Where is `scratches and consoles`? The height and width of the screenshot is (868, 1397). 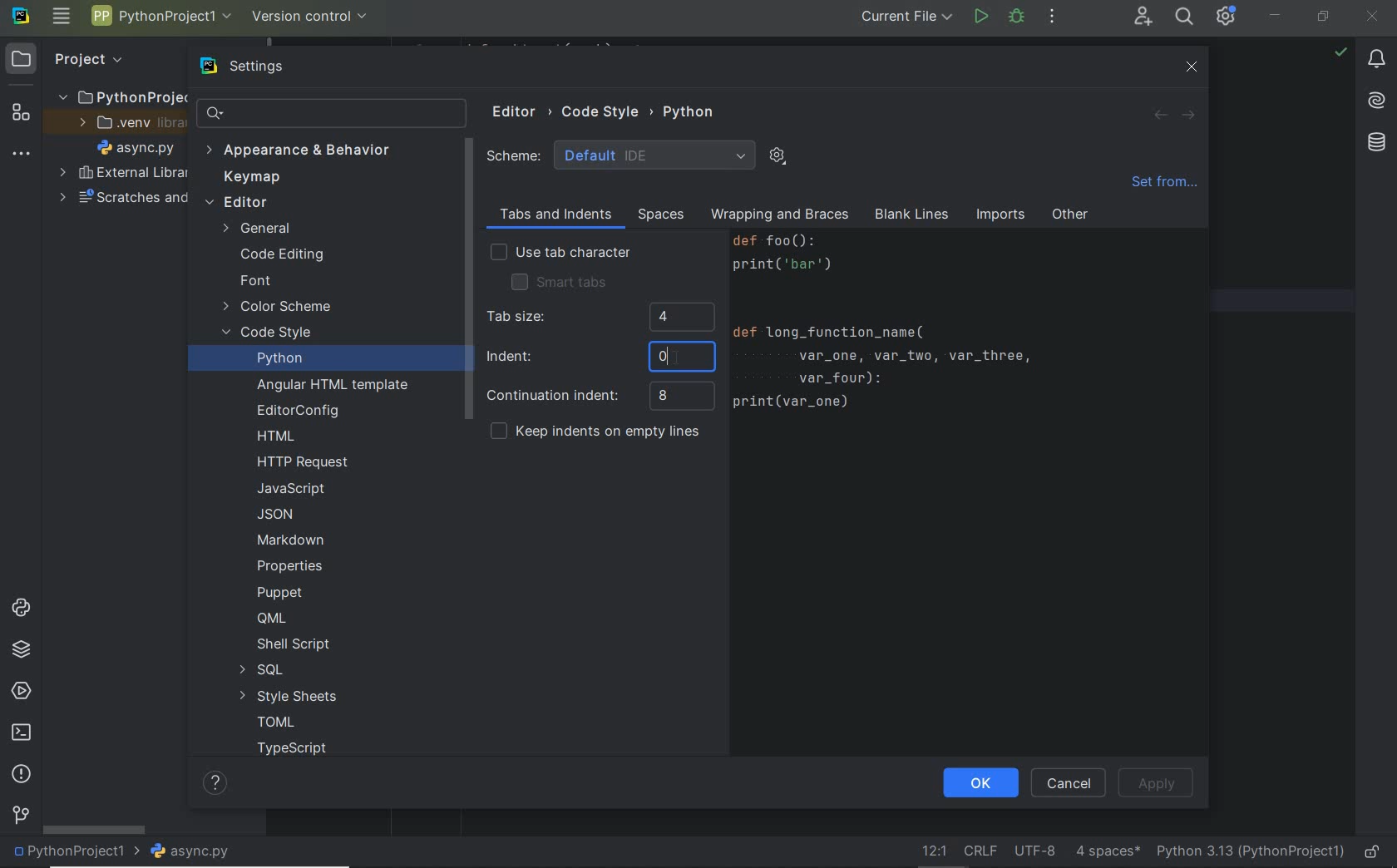
scratches and consoles is located at coordinates (116, 198).